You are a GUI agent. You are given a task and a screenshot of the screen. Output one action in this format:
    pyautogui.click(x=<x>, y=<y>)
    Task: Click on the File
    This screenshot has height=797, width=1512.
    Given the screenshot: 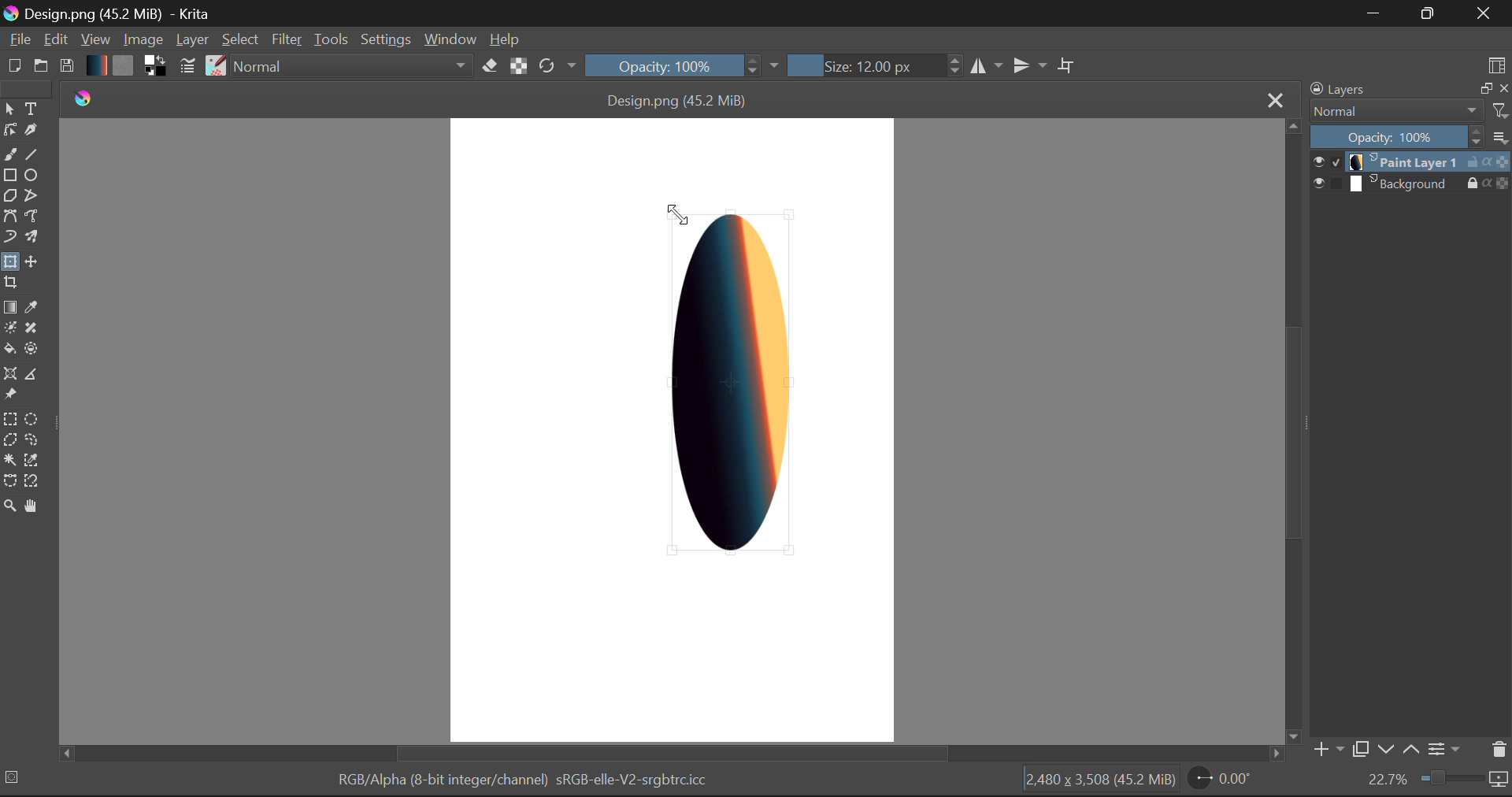 What is the action you would take?
    pyautogui.click(x=17, y=39)
    